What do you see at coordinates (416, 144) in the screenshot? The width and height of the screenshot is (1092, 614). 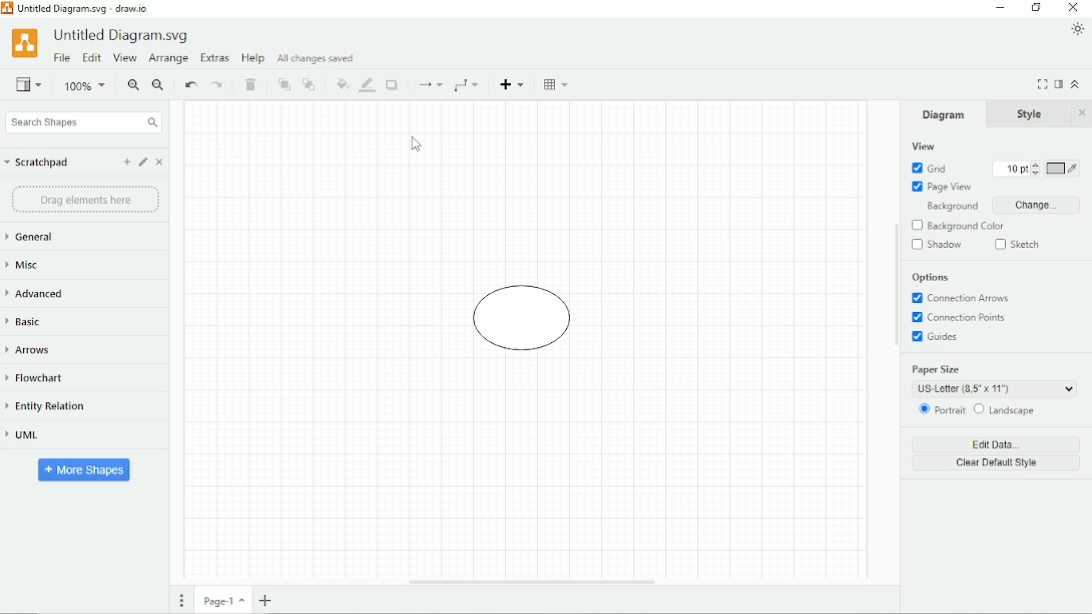 I see `Cursor AFTER_LAST_ACTION` at bounding box center [416, 144].